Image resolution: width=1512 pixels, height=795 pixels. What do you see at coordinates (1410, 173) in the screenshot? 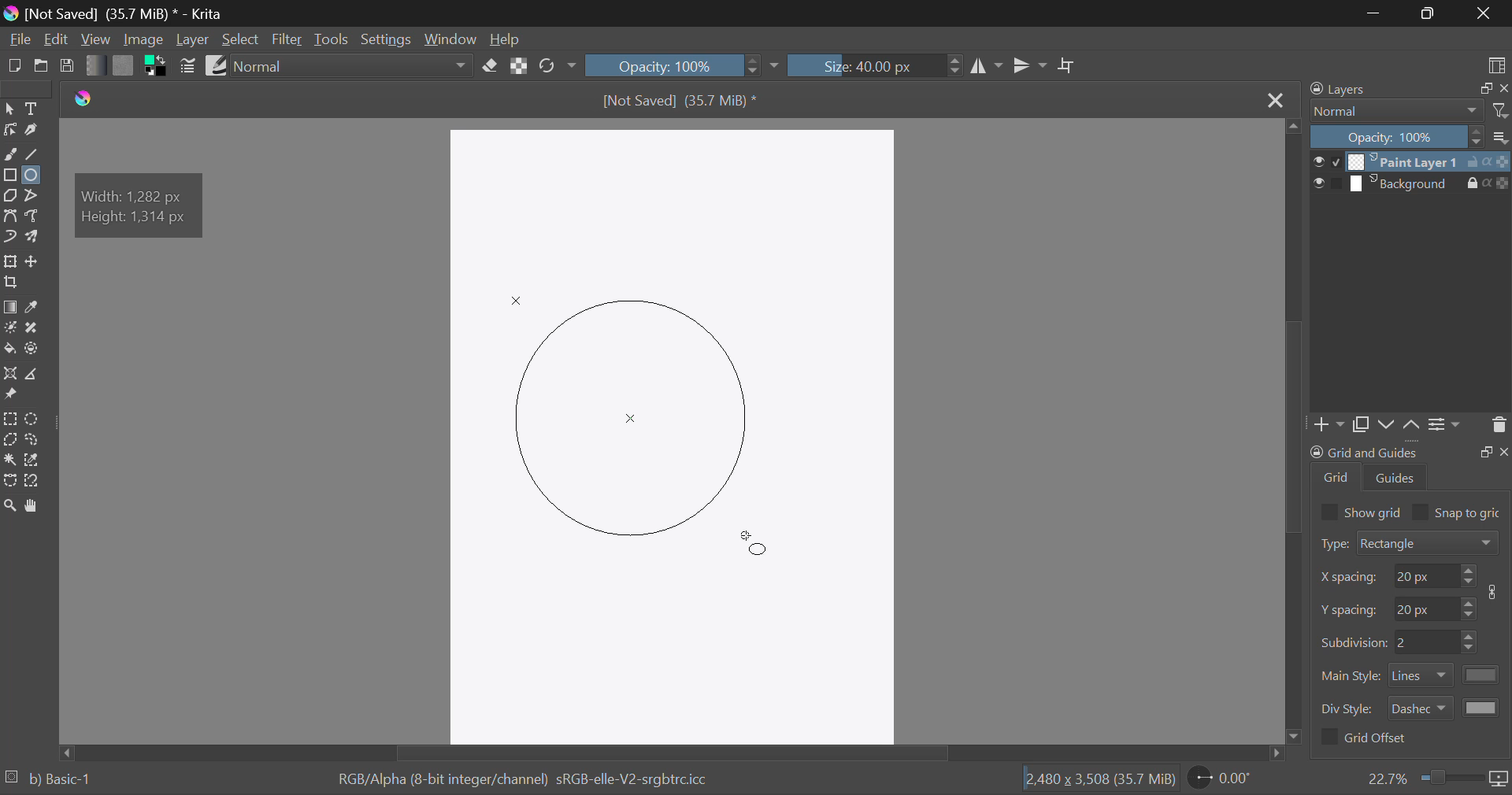
I see `Layers` at bounding box center [1410, 173].